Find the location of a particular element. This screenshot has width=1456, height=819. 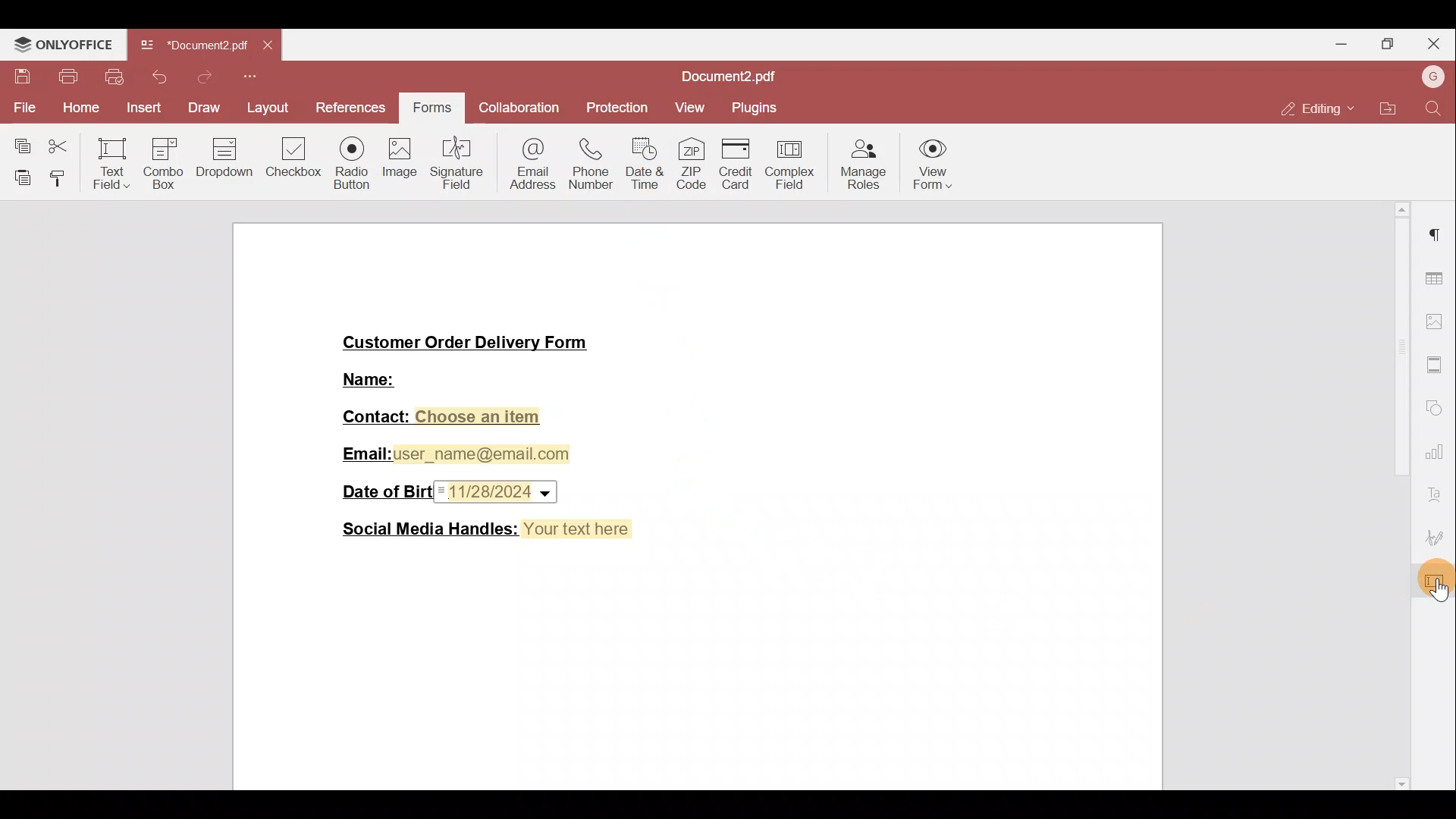

Layout is located at coordinates (269, 111).